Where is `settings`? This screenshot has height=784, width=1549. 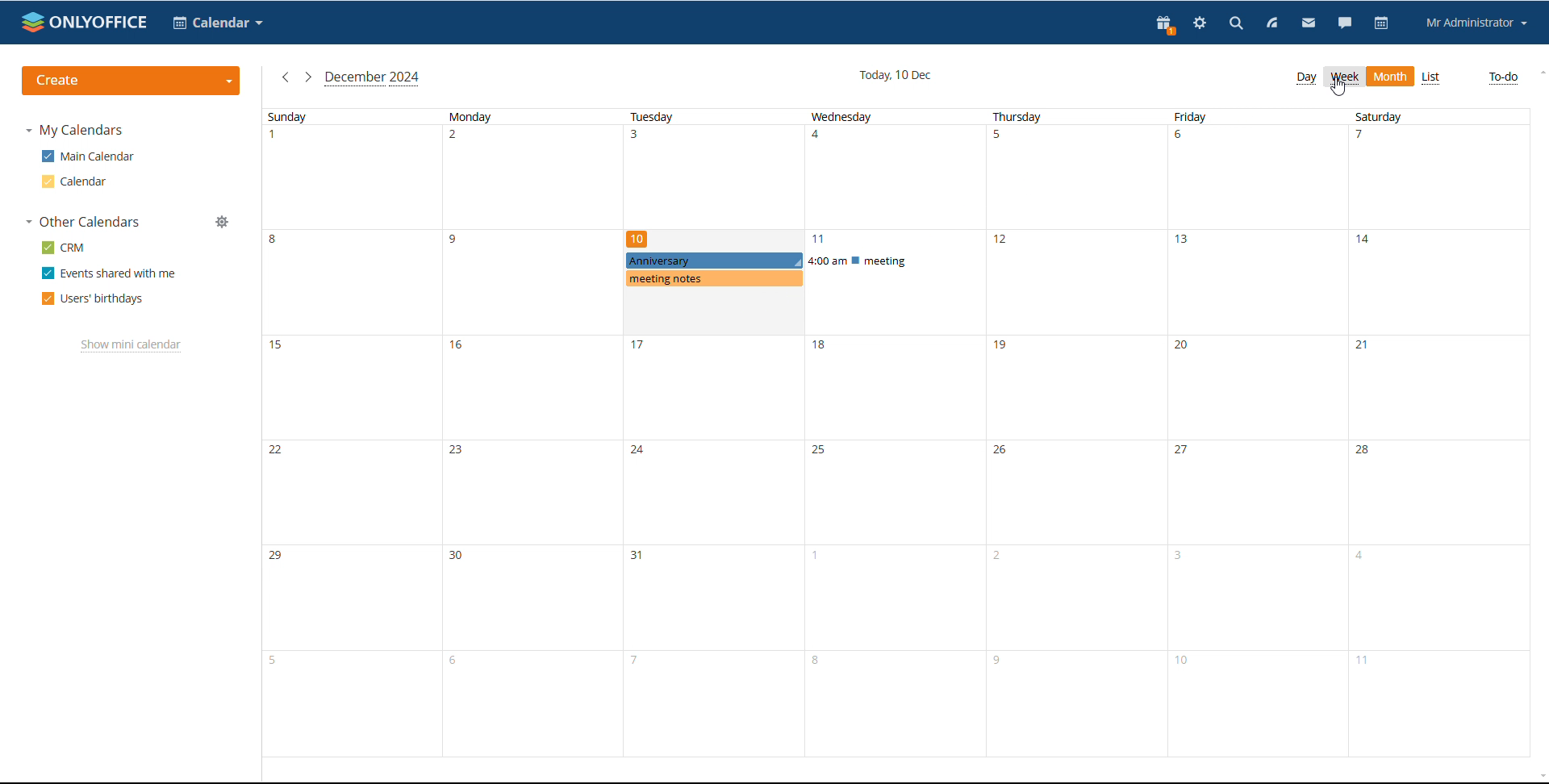
settings is located at coordinates (1200, 23).